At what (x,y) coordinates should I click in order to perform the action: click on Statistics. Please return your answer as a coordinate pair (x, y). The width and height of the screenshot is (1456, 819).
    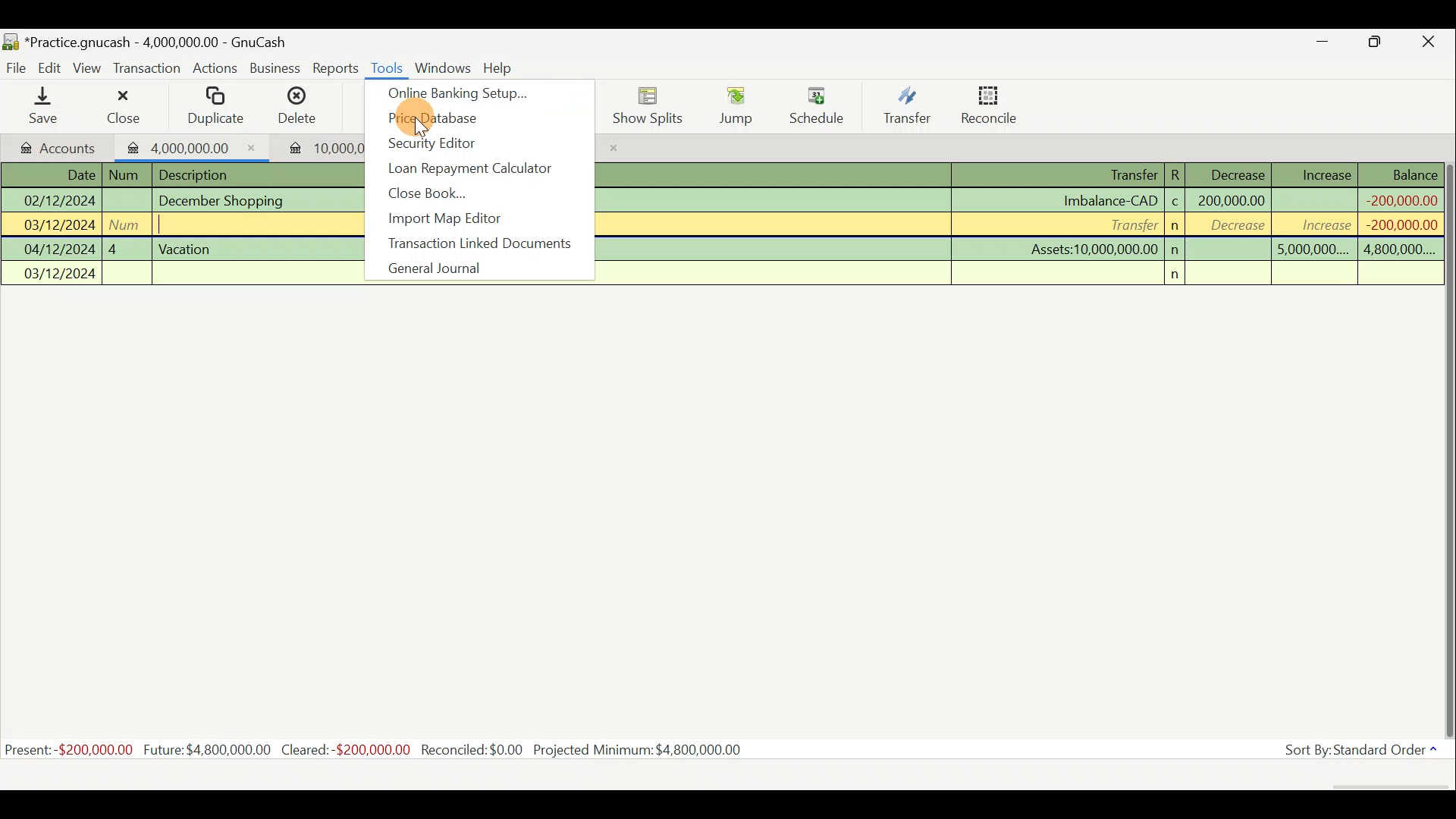
    Looking at the image, I should click on (399, 750).